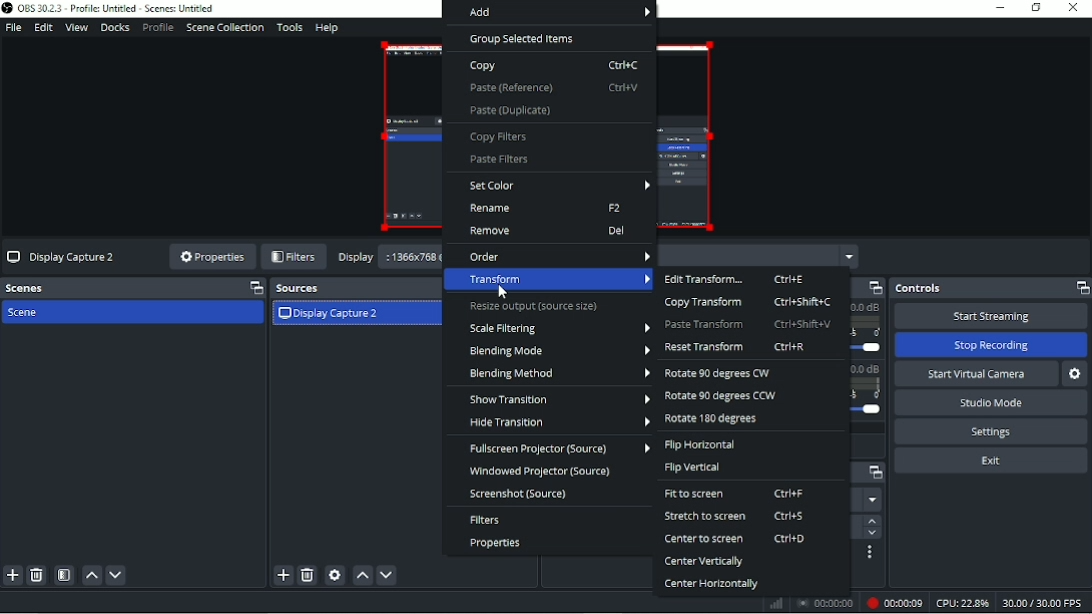 This screenshot has height=614, width=1092. I want to click on Center horizontally, so click(711, 584).